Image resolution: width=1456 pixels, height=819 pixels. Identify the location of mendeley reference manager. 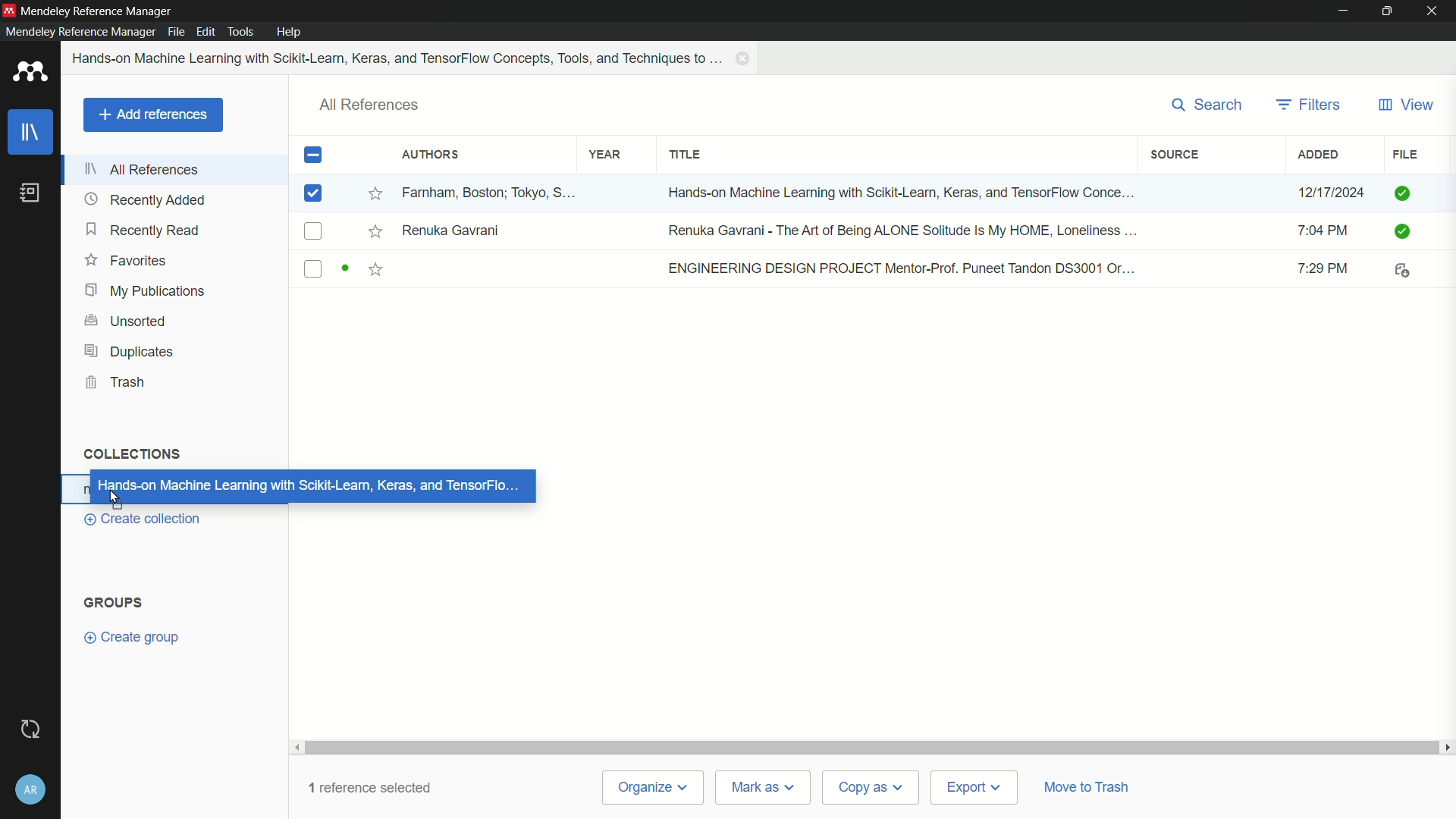
(80, 31).